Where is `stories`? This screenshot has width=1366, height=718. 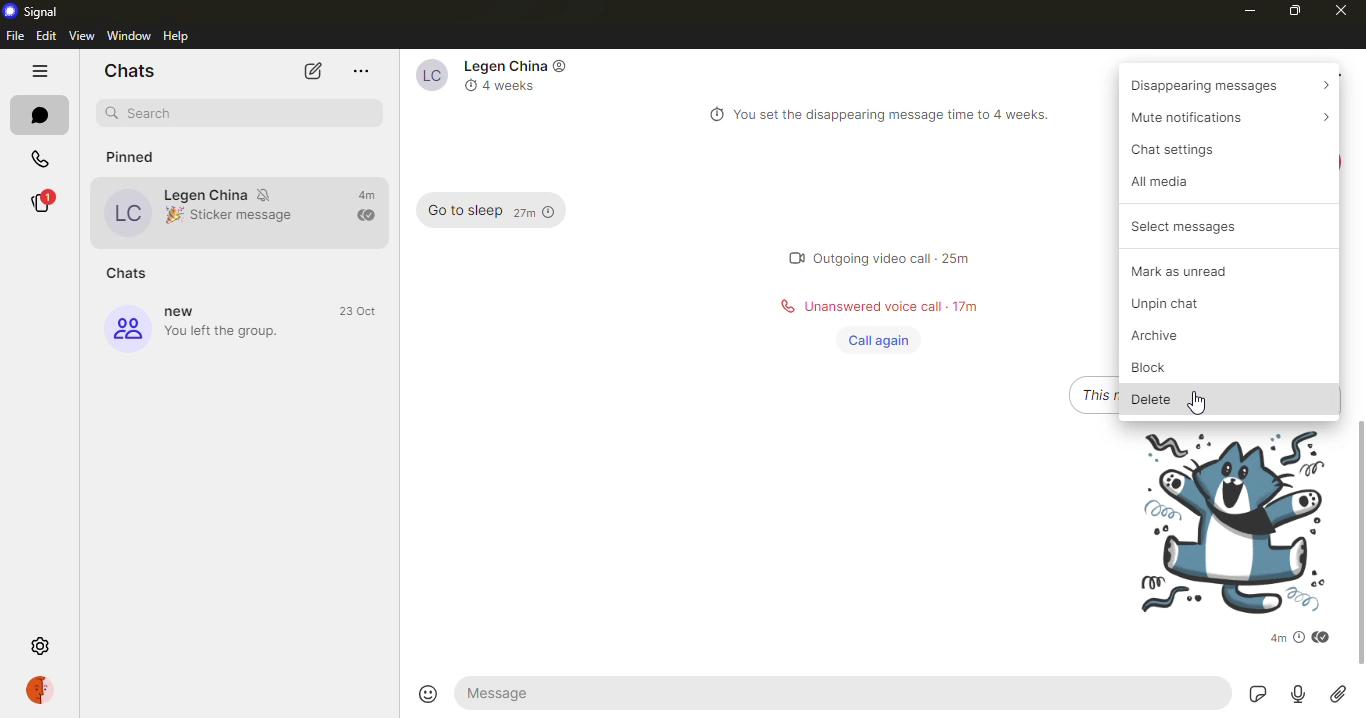
stories is located at coordinates (40, 202).